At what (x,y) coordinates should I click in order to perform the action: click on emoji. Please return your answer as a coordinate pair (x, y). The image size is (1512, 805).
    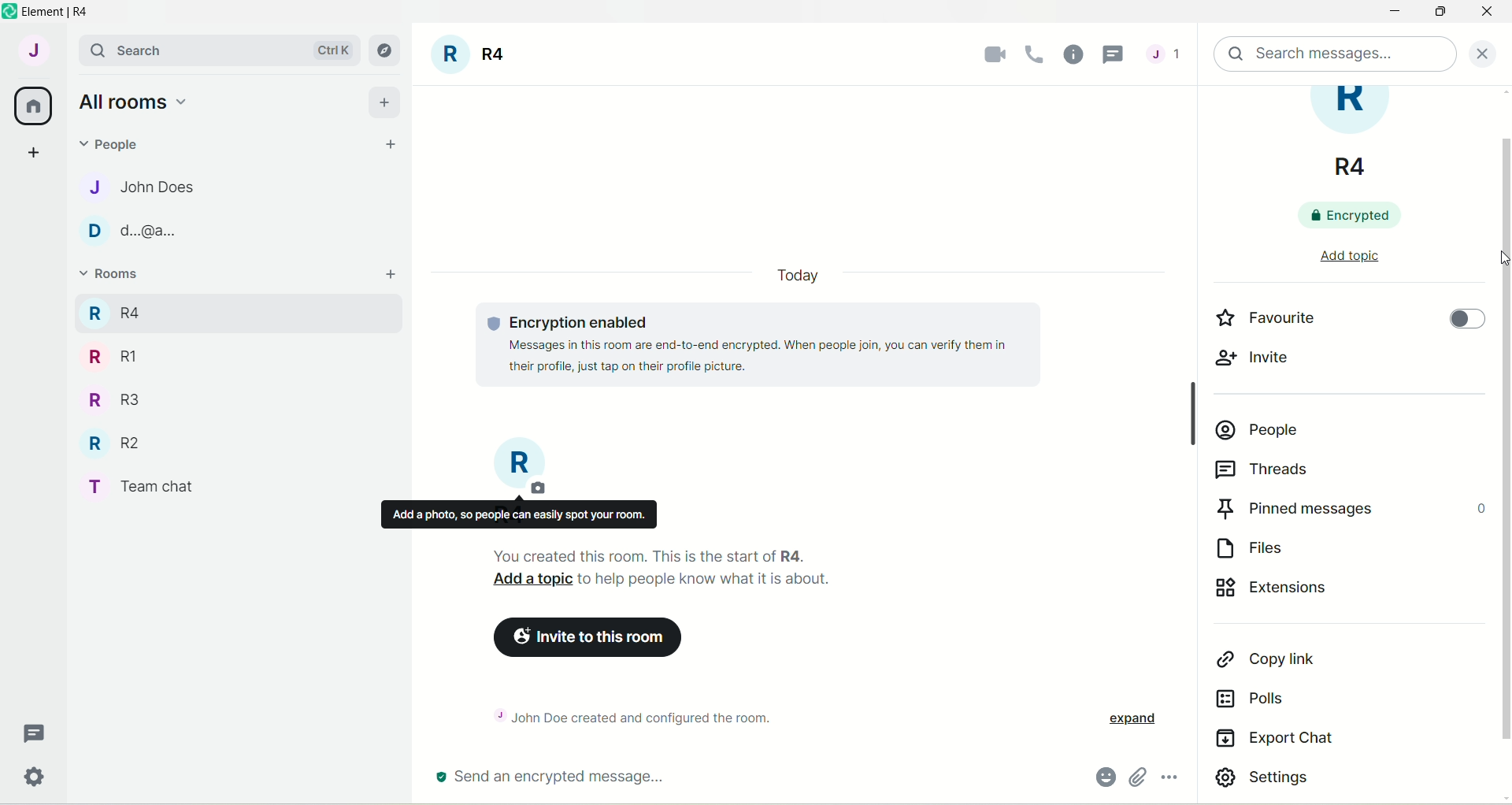
    Looking at the image, I should click on (1104, 777).